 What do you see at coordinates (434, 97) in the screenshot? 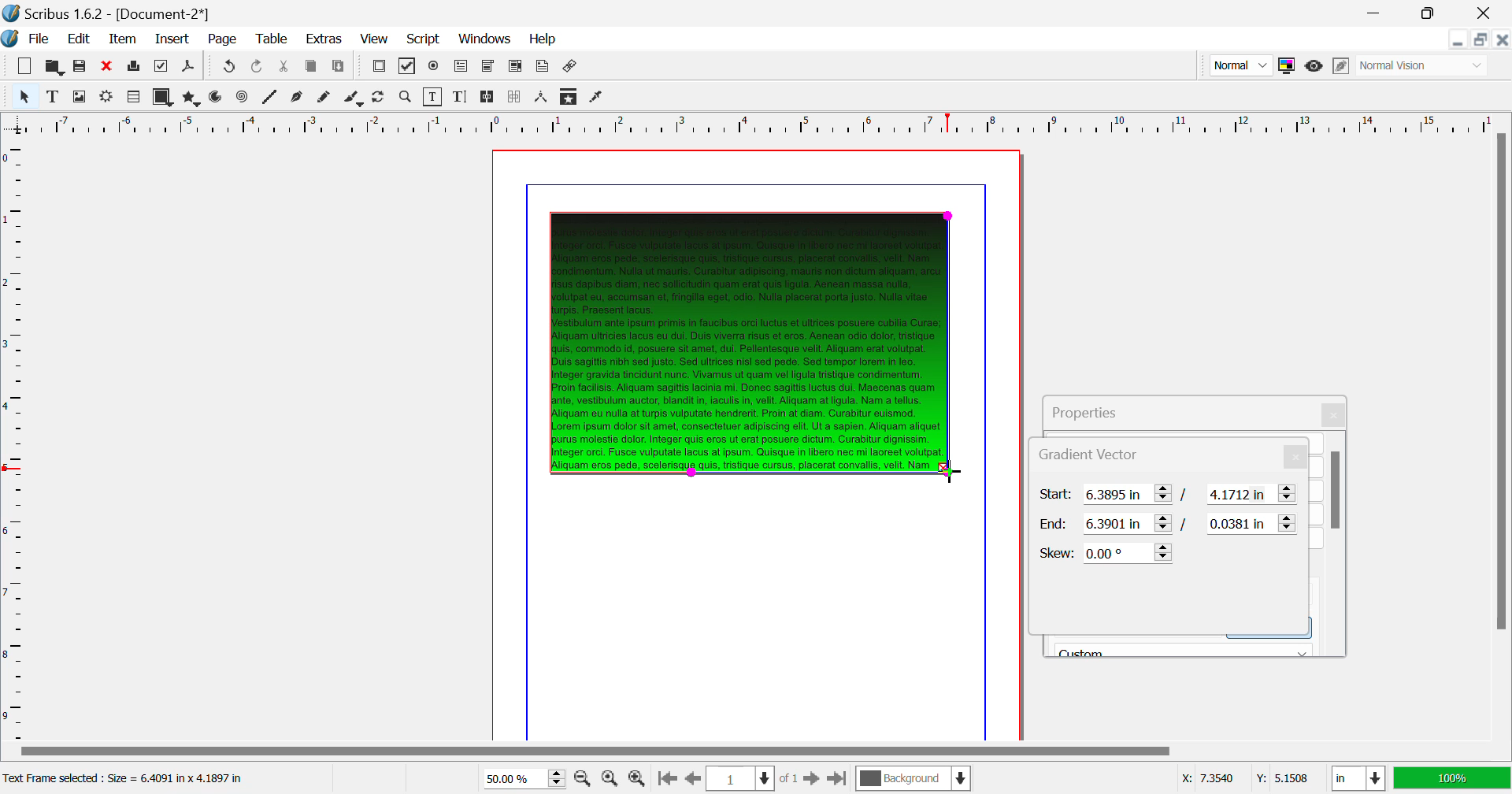
I see `Edit Contents of Frame` at bounding box center [434, 97].